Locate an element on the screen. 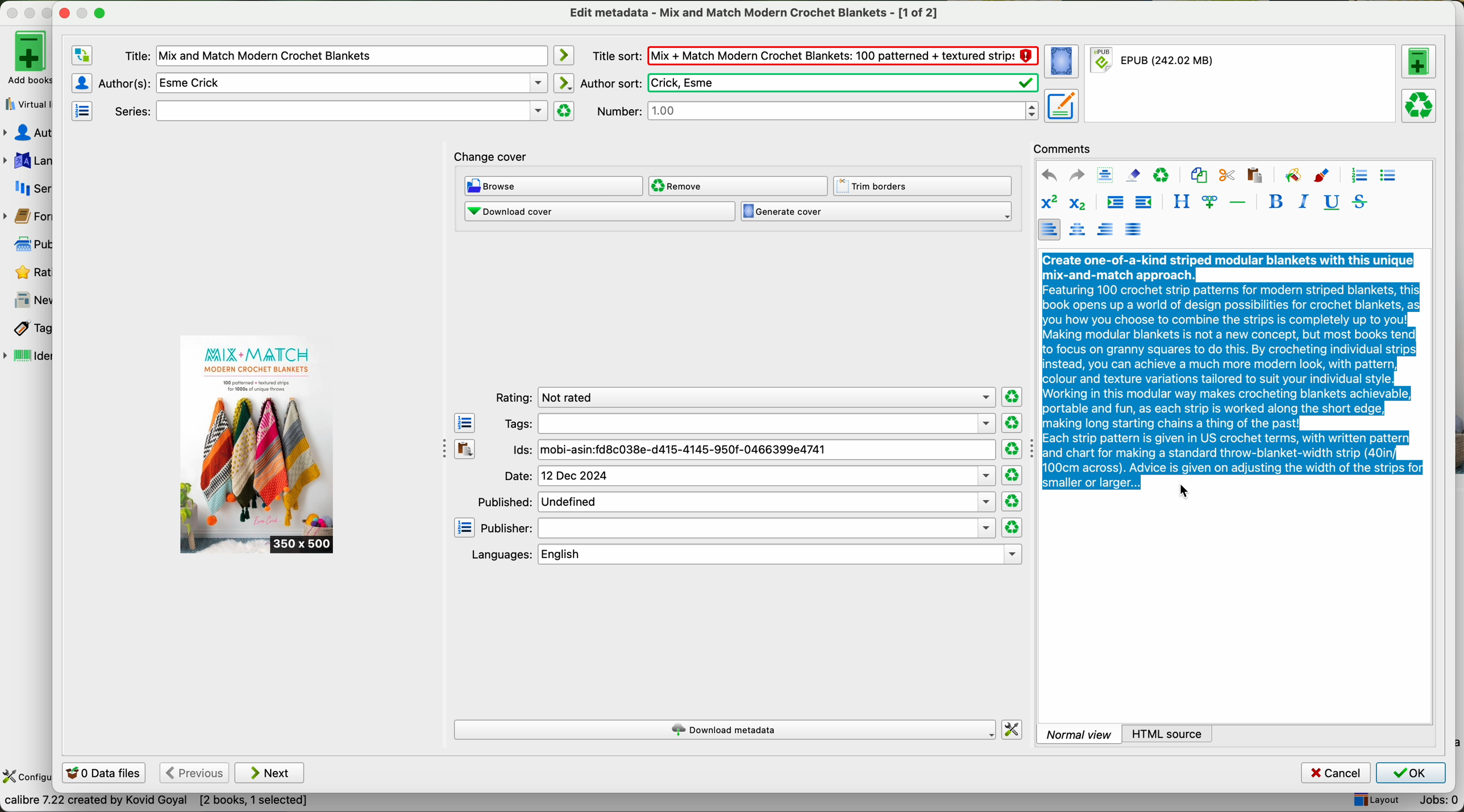 Image resolution: width=1464 pixels, height=812 pixels. maximize windows is located at coordinates (99, 12).